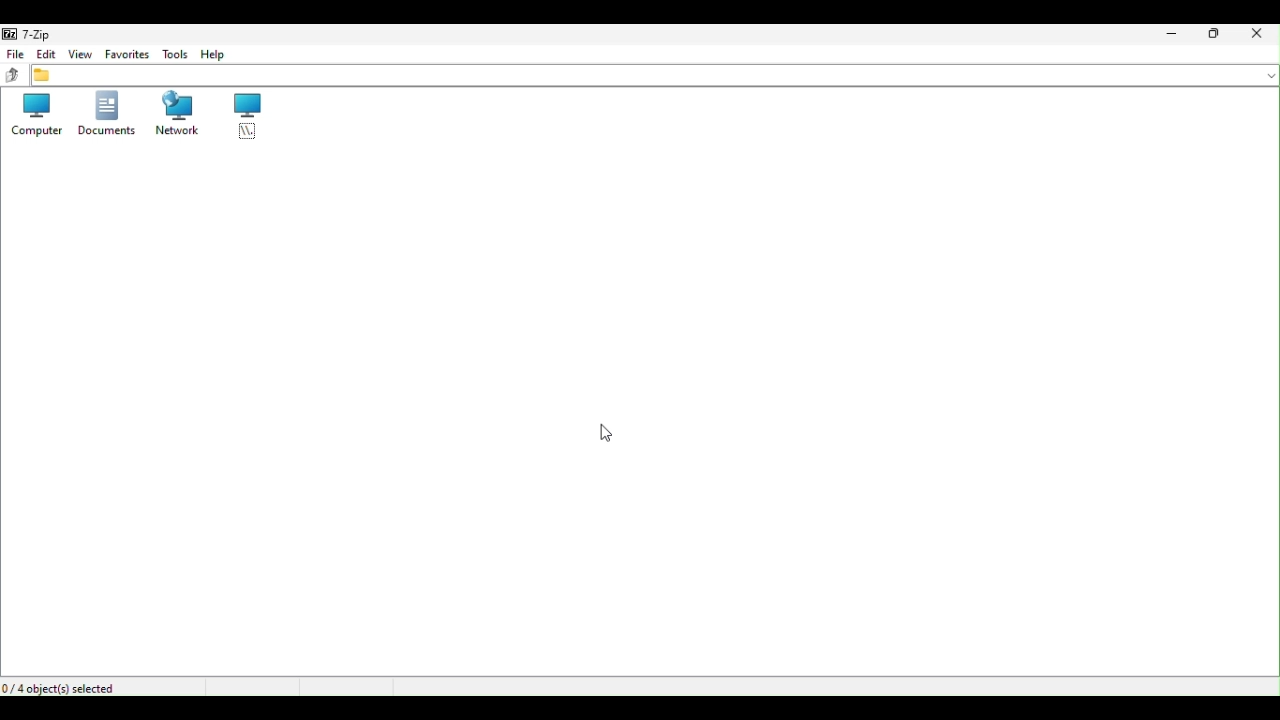  What do you see at coordinates (127, 55) in the screenshot?
I see `Favourite` at bounding box center [127, 55].